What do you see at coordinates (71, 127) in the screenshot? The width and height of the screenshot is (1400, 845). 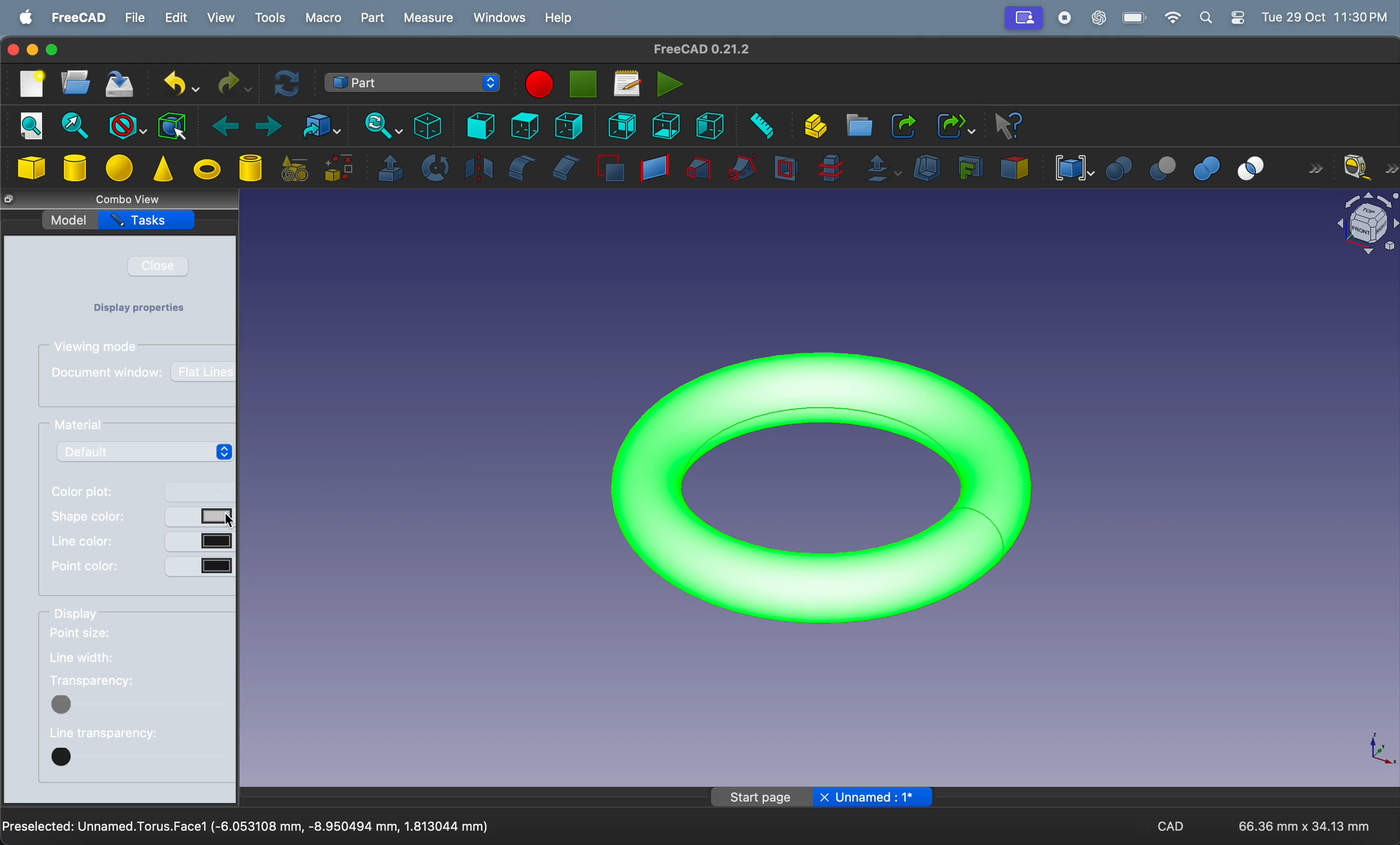 I see `fit section` at bounding box center [71, 127].